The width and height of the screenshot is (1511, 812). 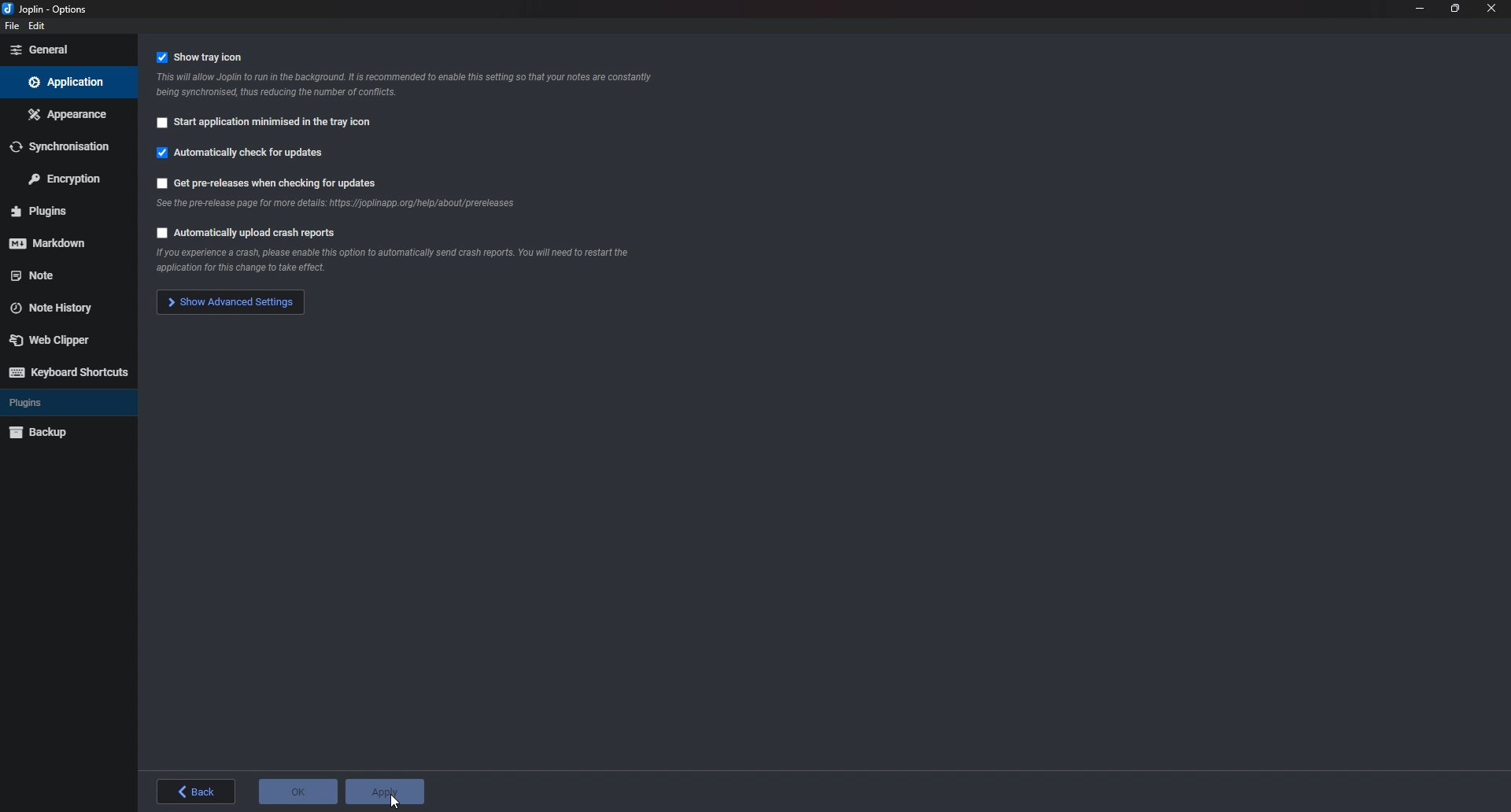 I want to click on Plugins, so click(x=52, y=404).